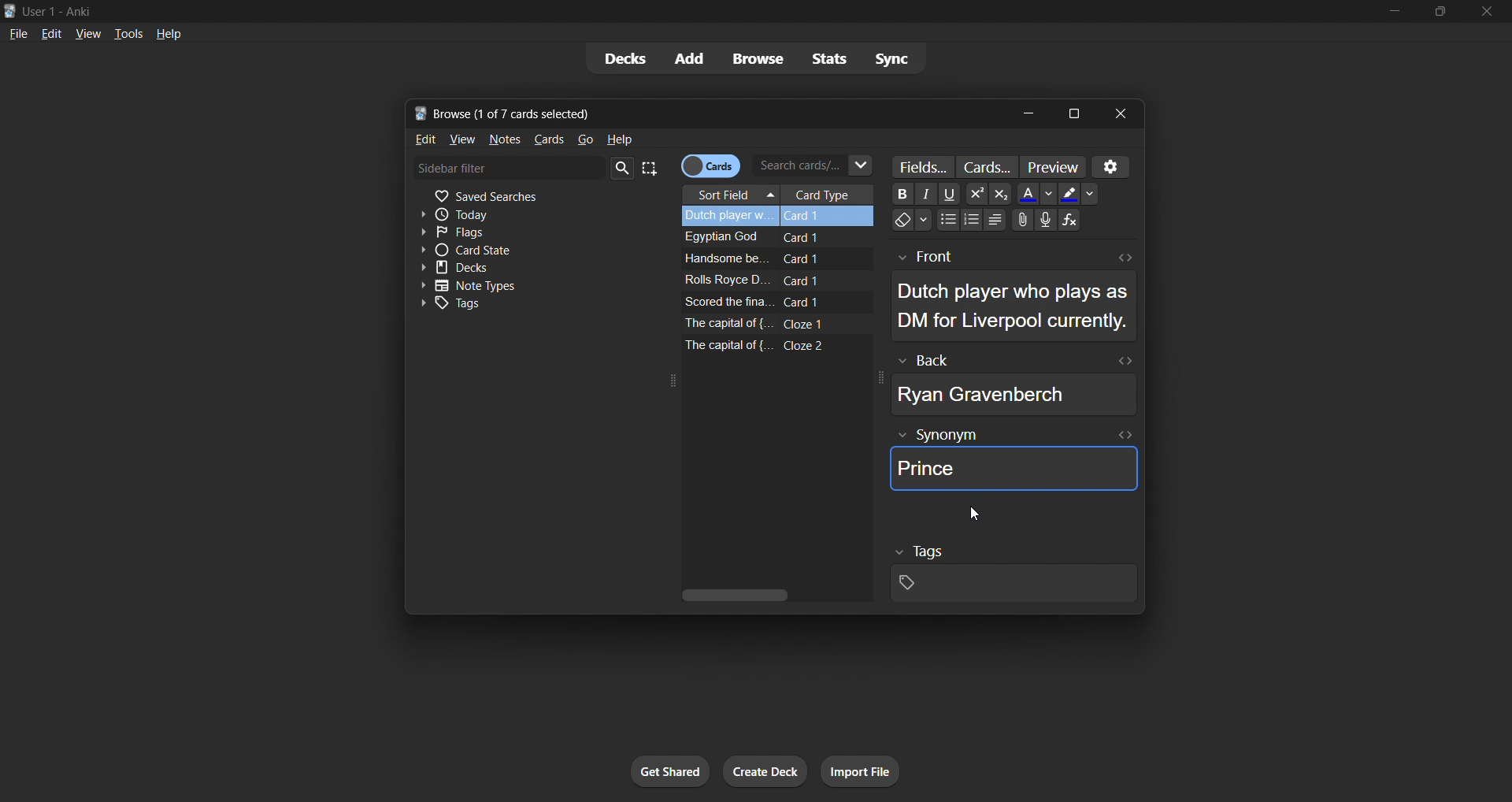  What do you see at coordinates (509, 266) in the screenshot?
I see `decks toggle` at bounding box center [509, 266].